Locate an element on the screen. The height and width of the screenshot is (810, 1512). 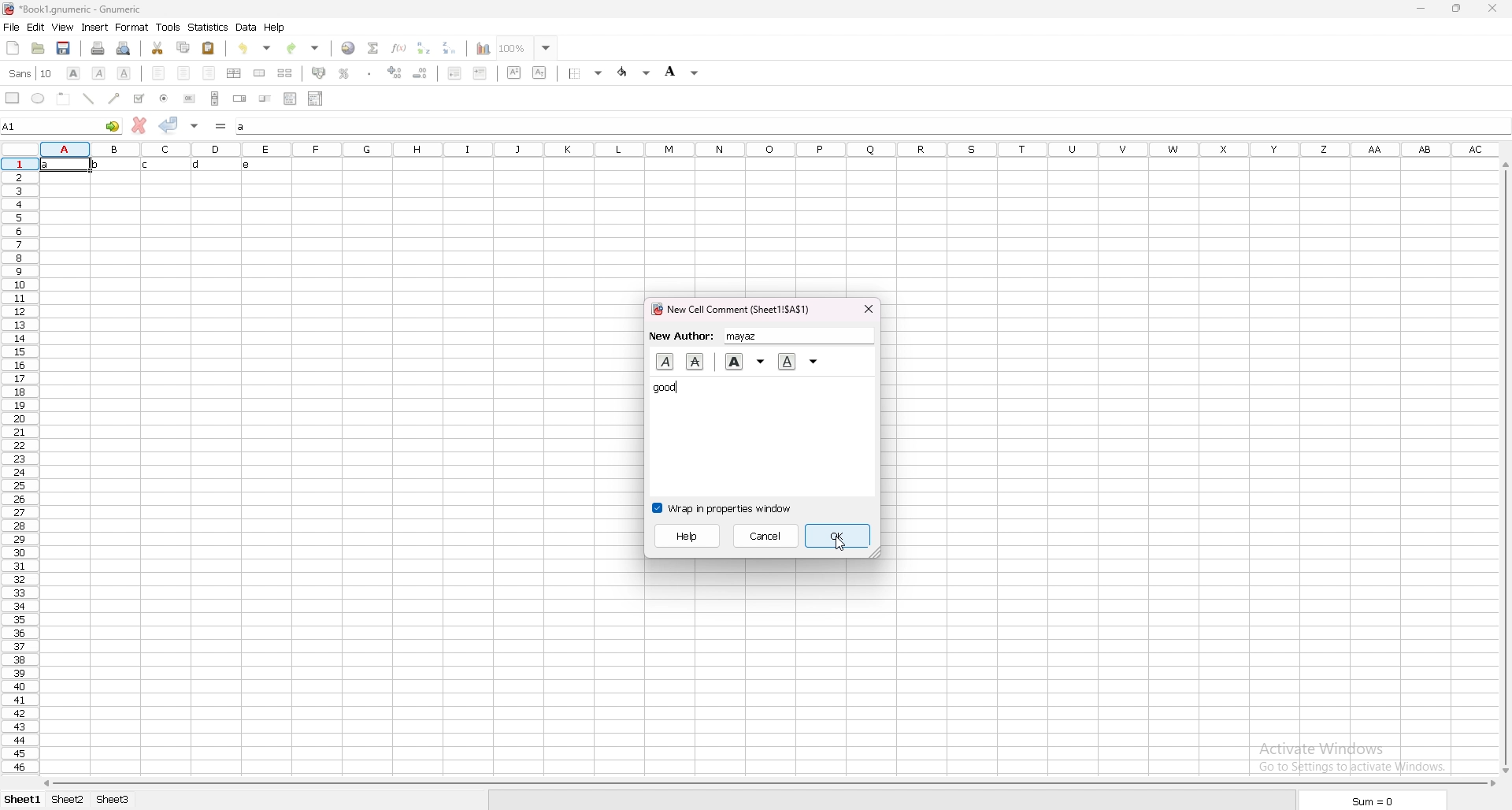
split merged cells is located at coordinates (285, 72).